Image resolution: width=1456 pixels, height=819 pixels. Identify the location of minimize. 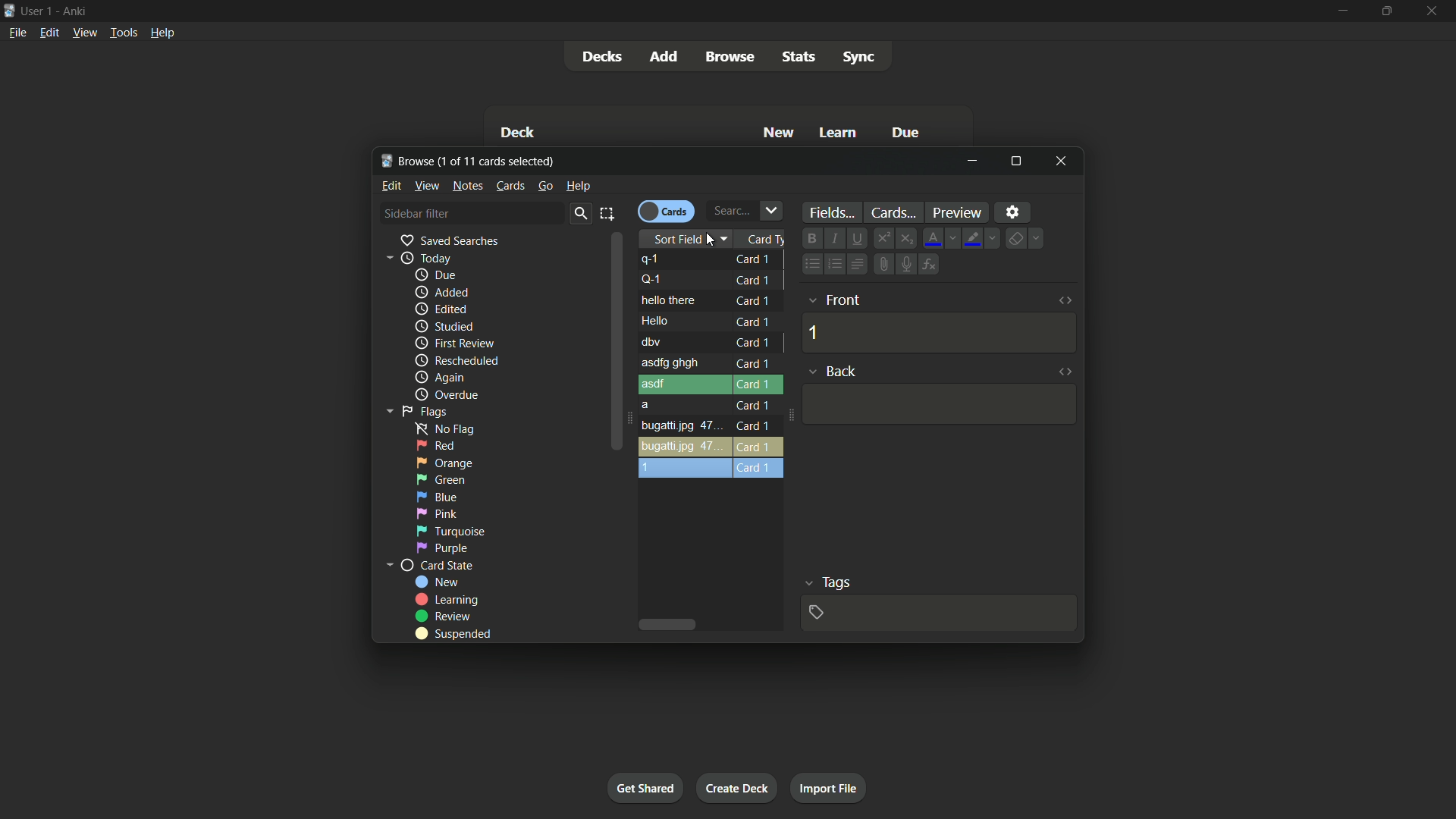
(1337, 11).